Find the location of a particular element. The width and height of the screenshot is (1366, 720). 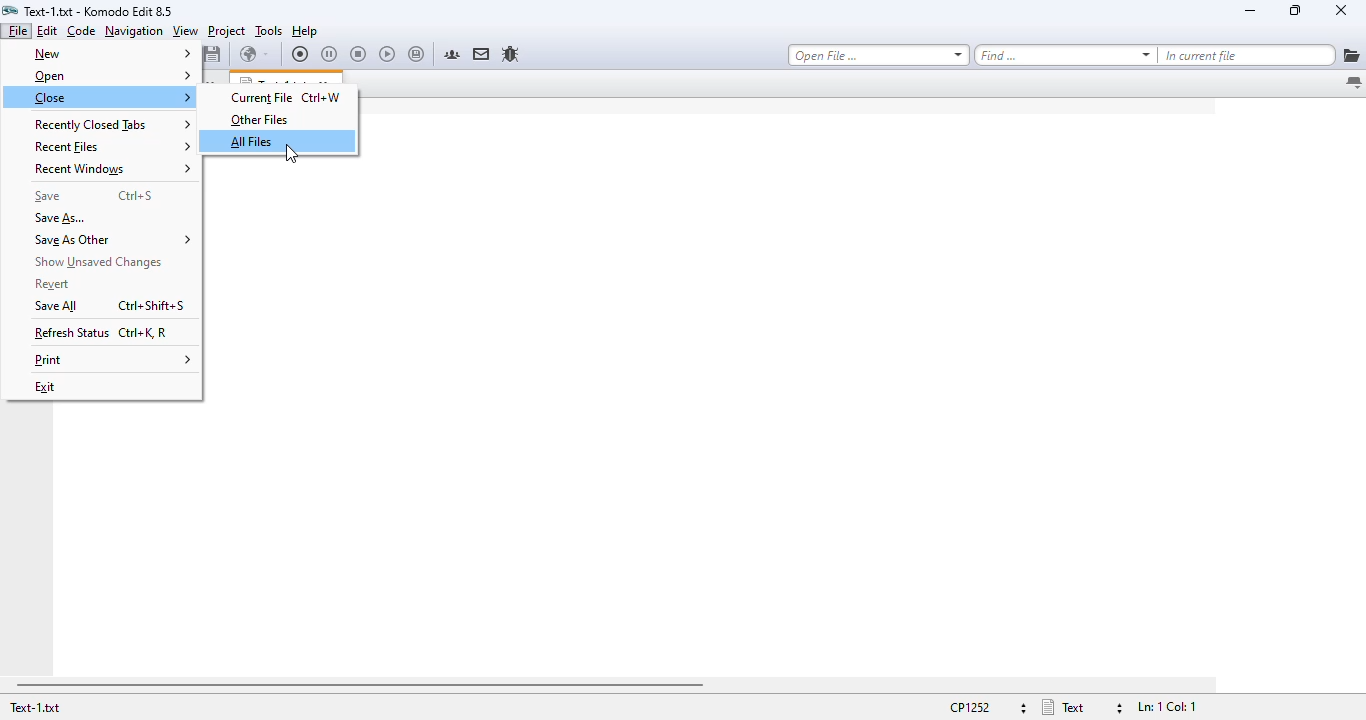

file is located at coordinates (18, 30).